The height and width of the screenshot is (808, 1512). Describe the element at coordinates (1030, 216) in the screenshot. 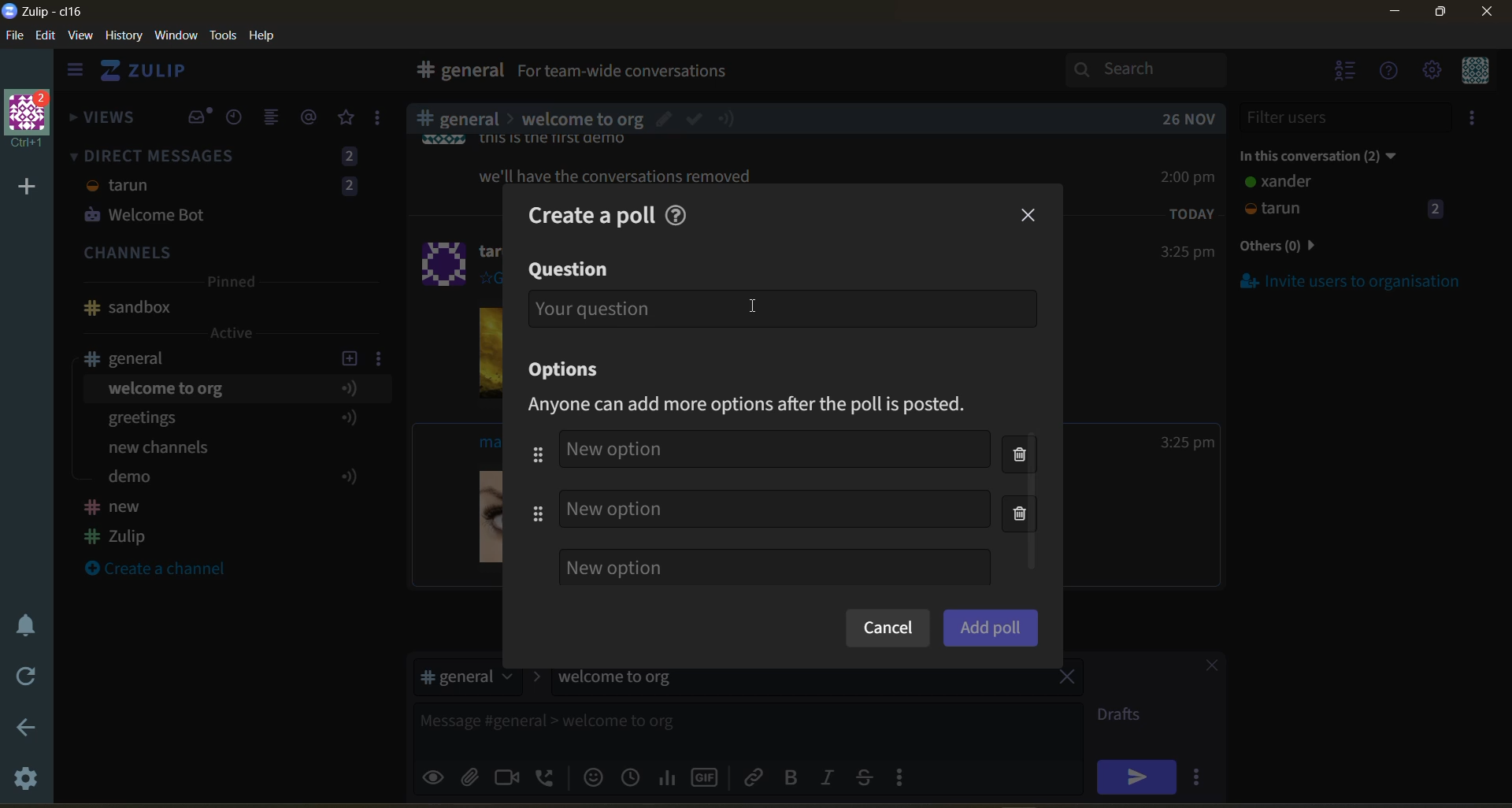

I see `close` at that location.